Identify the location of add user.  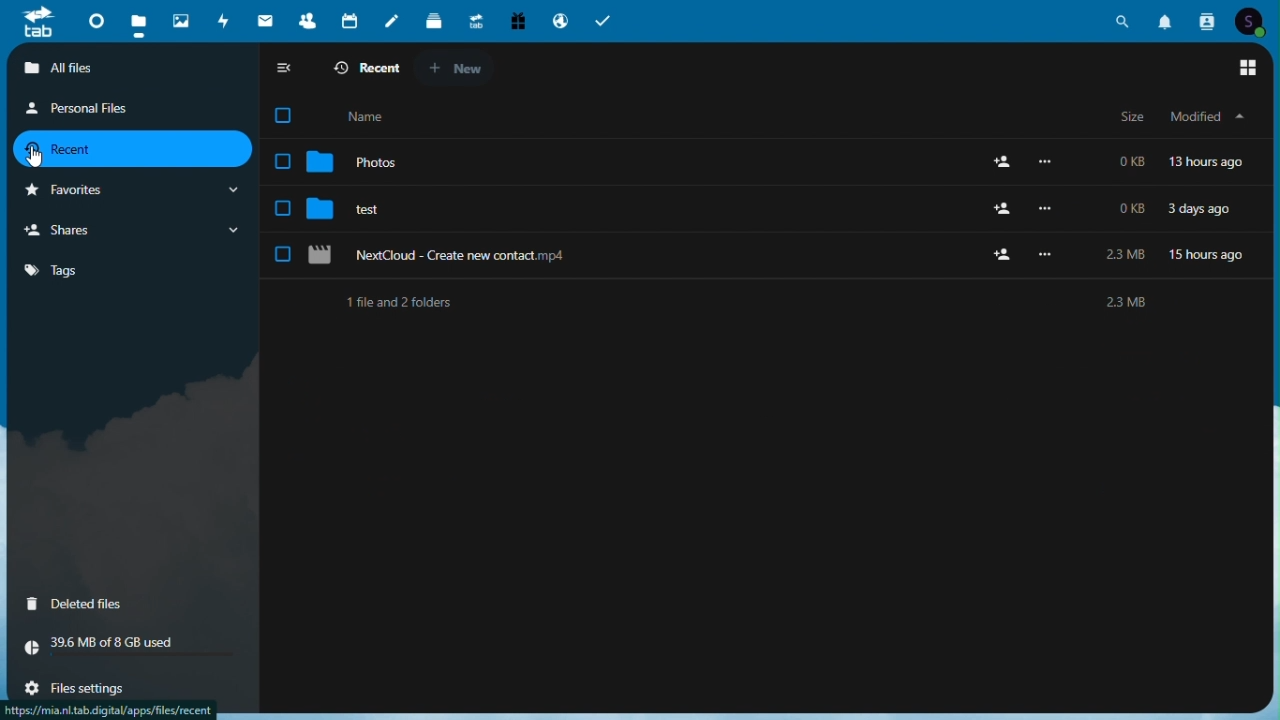
(1005, 254).